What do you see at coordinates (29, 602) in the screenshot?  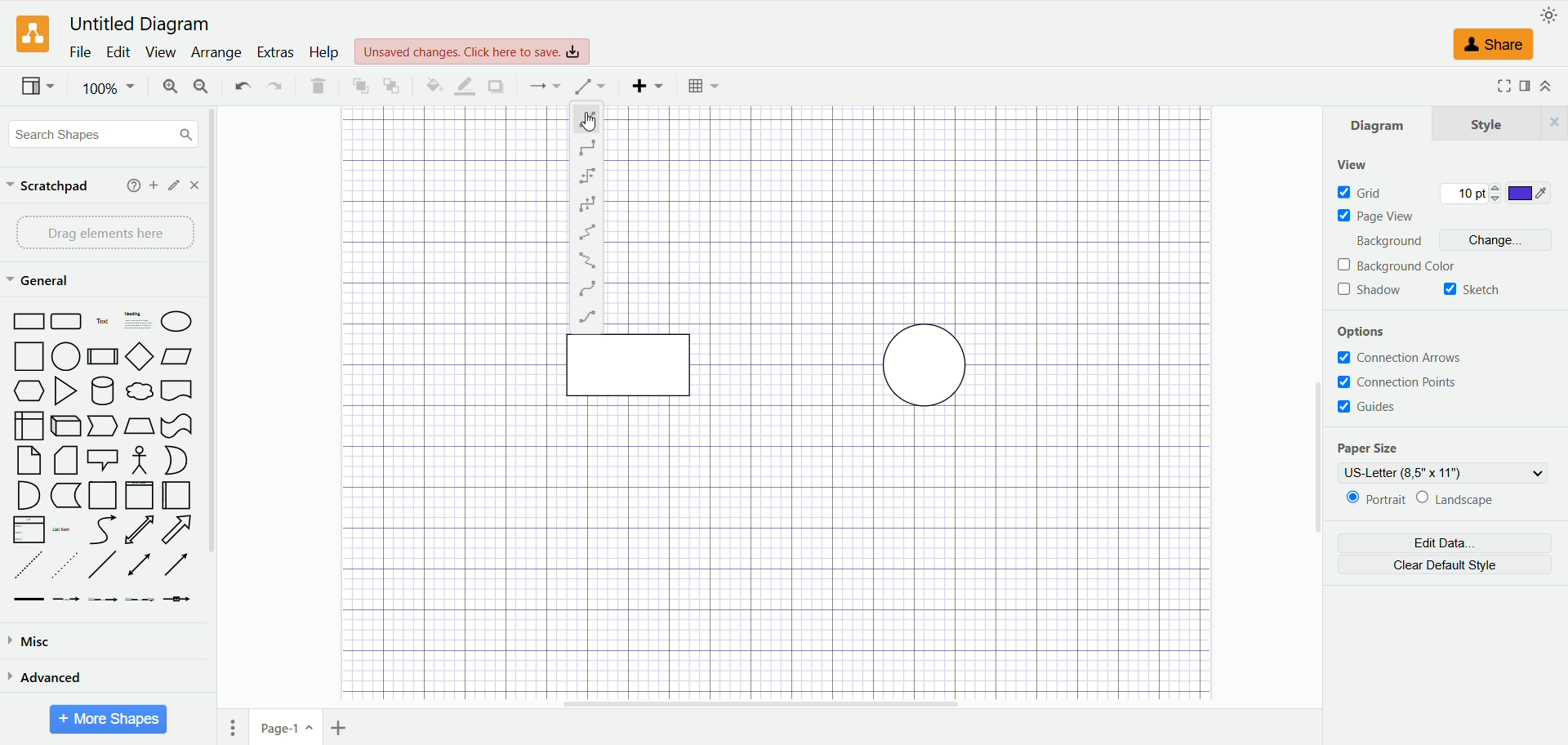 I see `Link` at bounding box center [29, 602].